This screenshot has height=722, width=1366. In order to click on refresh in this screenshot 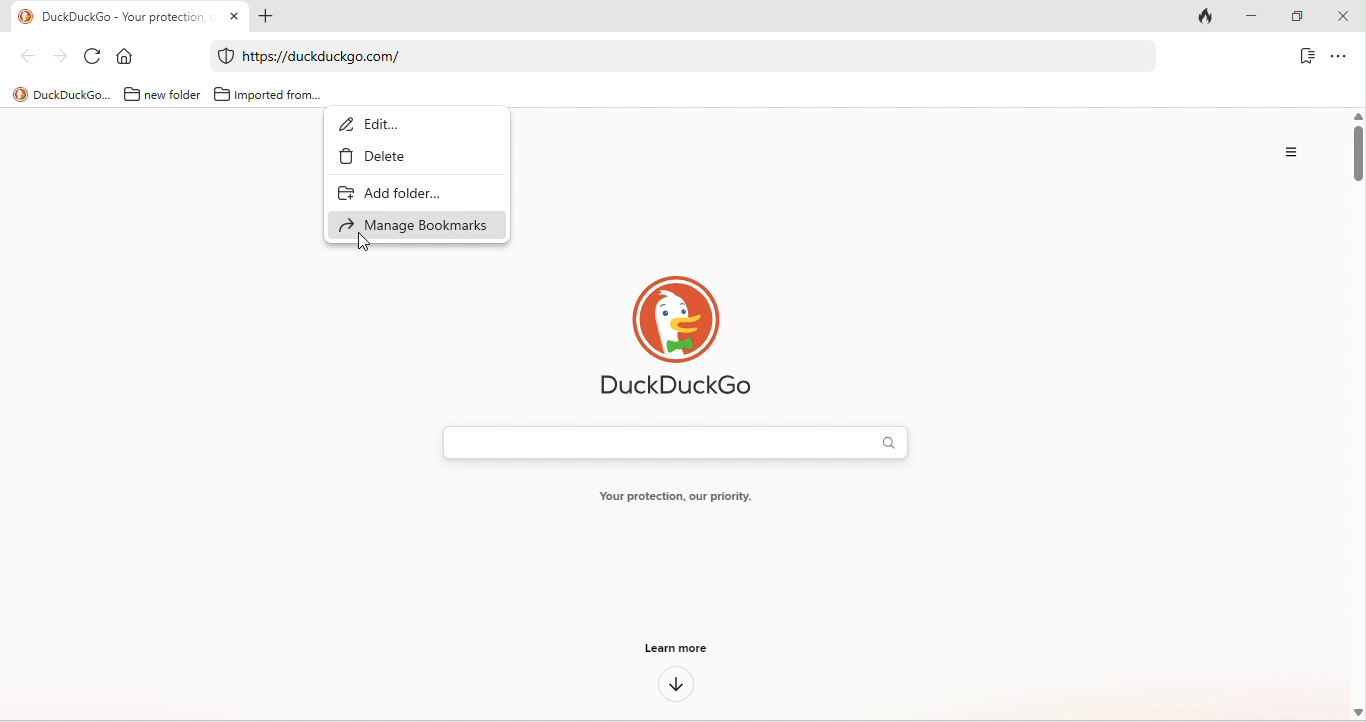, I will do `click(92, 55)`.